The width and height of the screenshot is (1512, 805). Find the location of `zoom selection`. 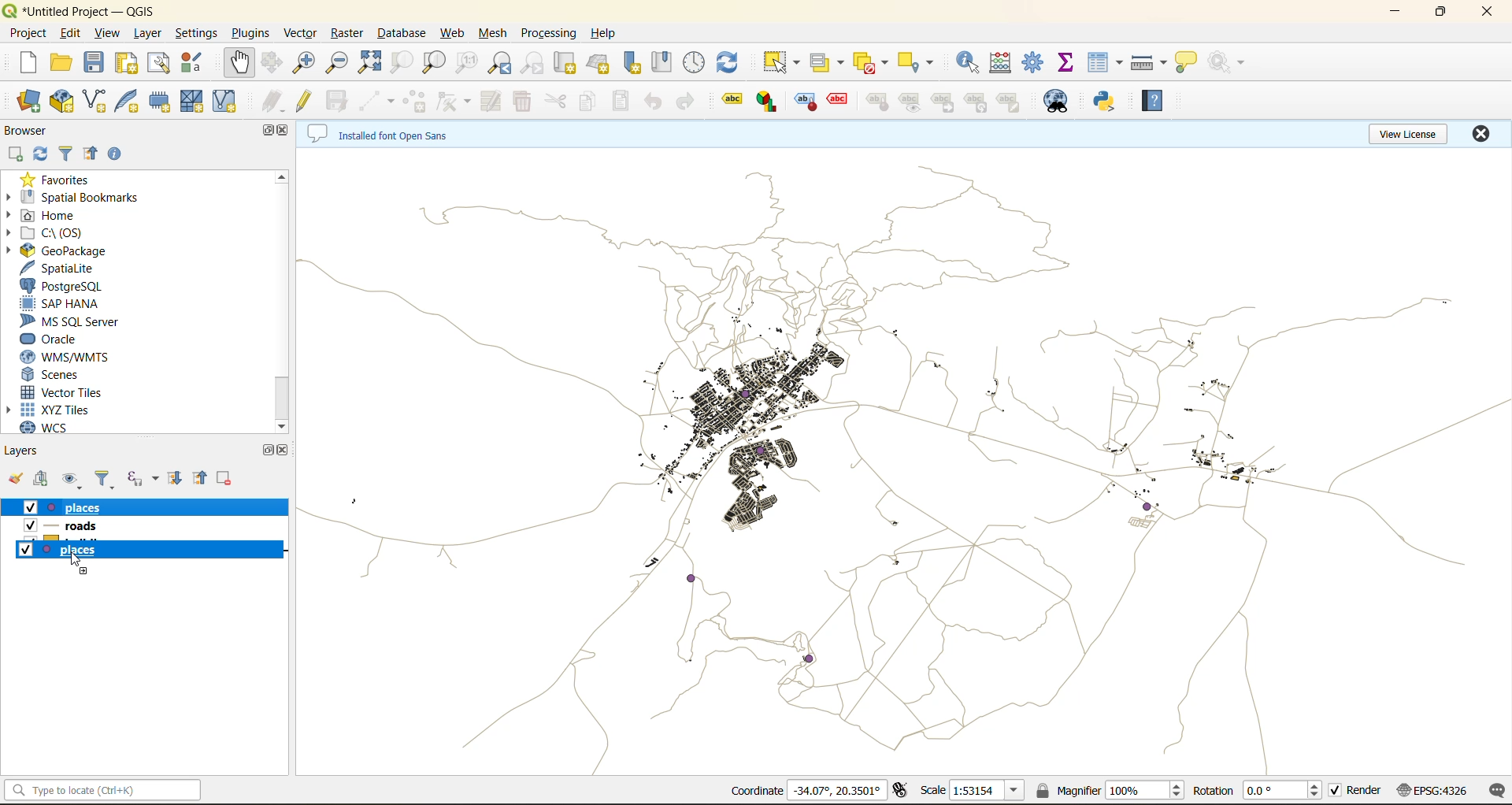

zoom selection is located at coordinates (402, 63).